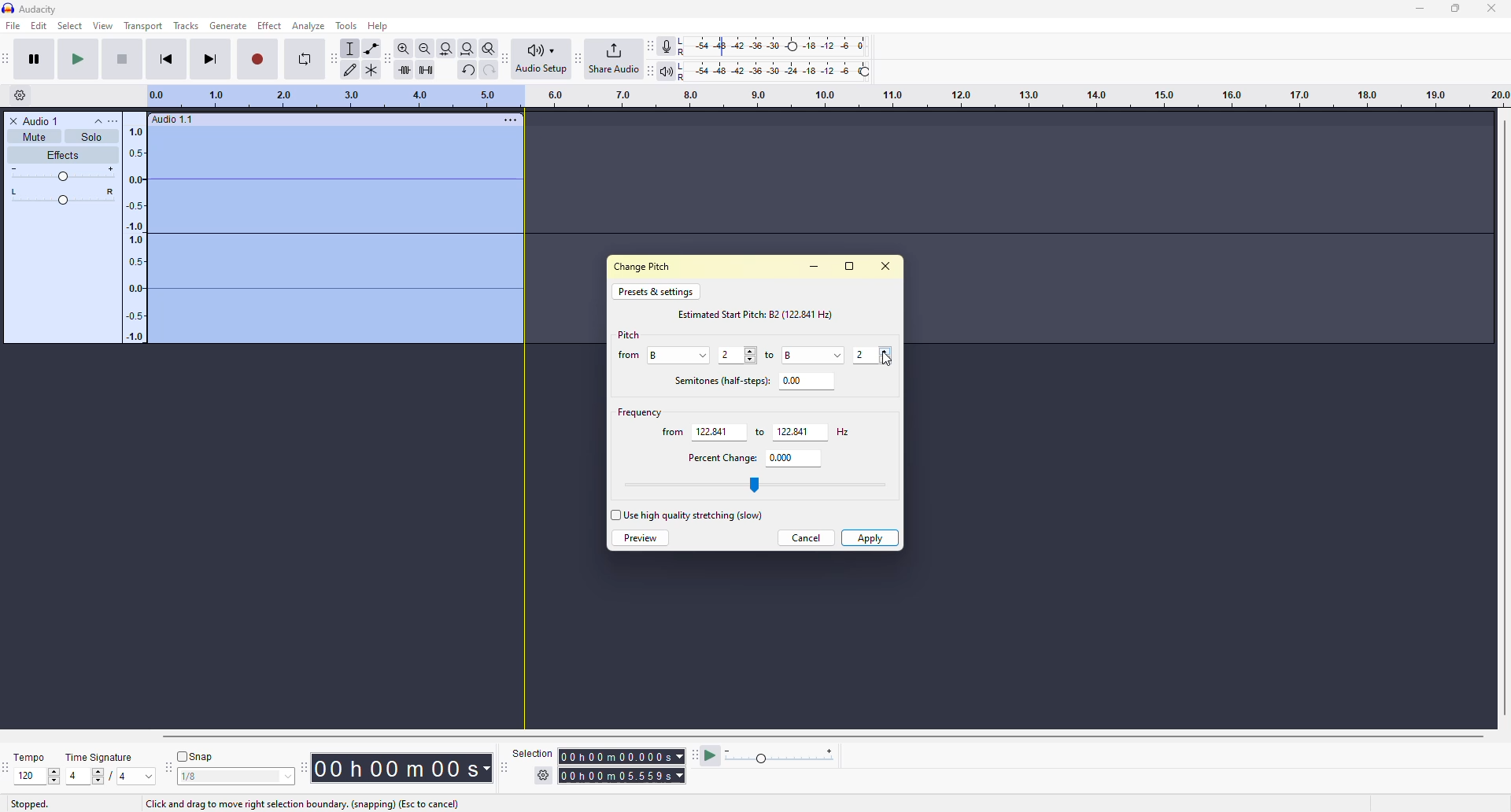 Image resolution: width=1511 pixels, height=812 pixels. What do you see at coordinates (314, 233) in the screenshot?
I see `audio` at bounding box center [314, 233].